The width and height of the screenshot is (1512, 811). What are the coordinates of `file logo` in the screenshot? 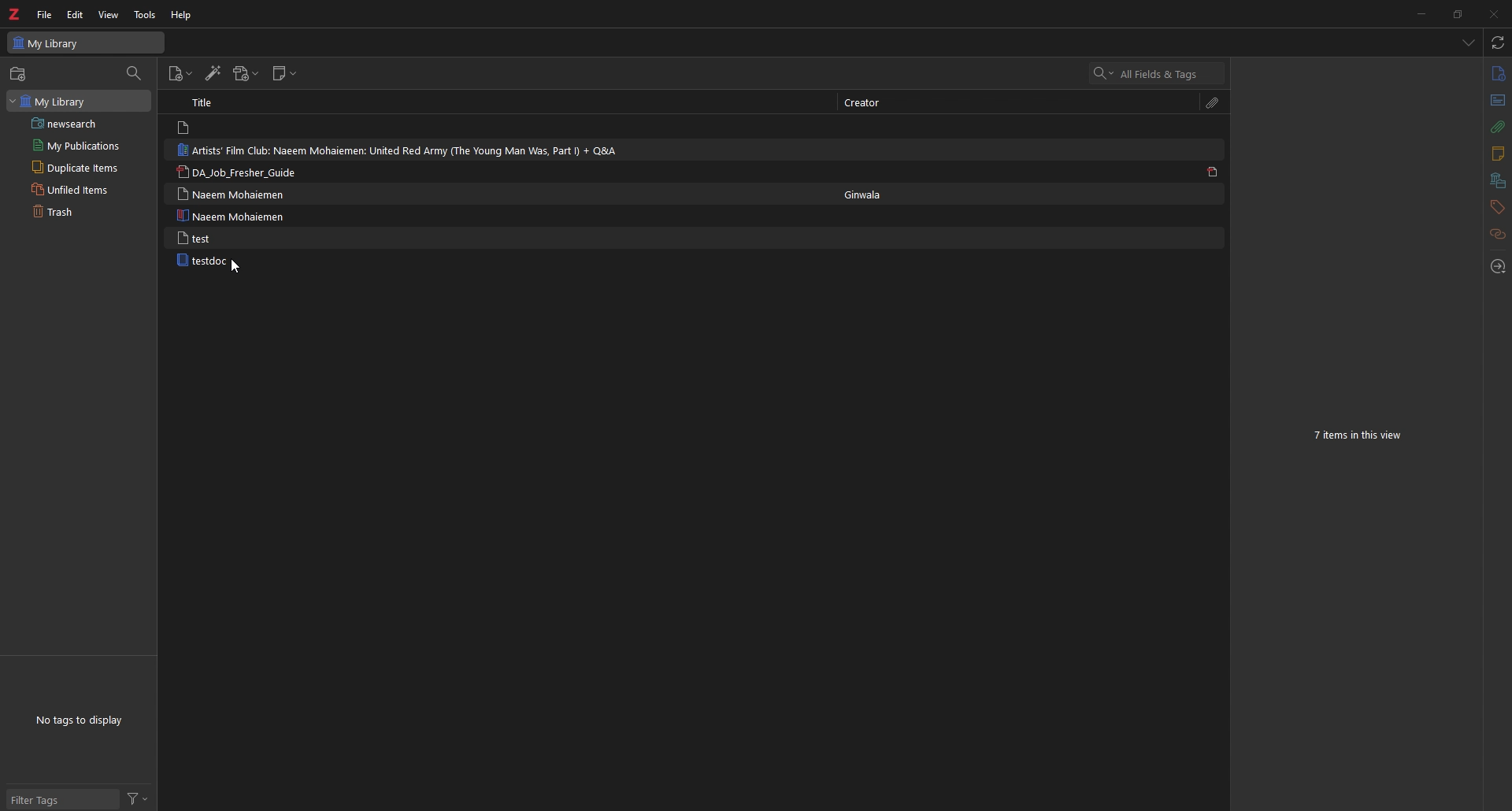 It's located at (186, 128).